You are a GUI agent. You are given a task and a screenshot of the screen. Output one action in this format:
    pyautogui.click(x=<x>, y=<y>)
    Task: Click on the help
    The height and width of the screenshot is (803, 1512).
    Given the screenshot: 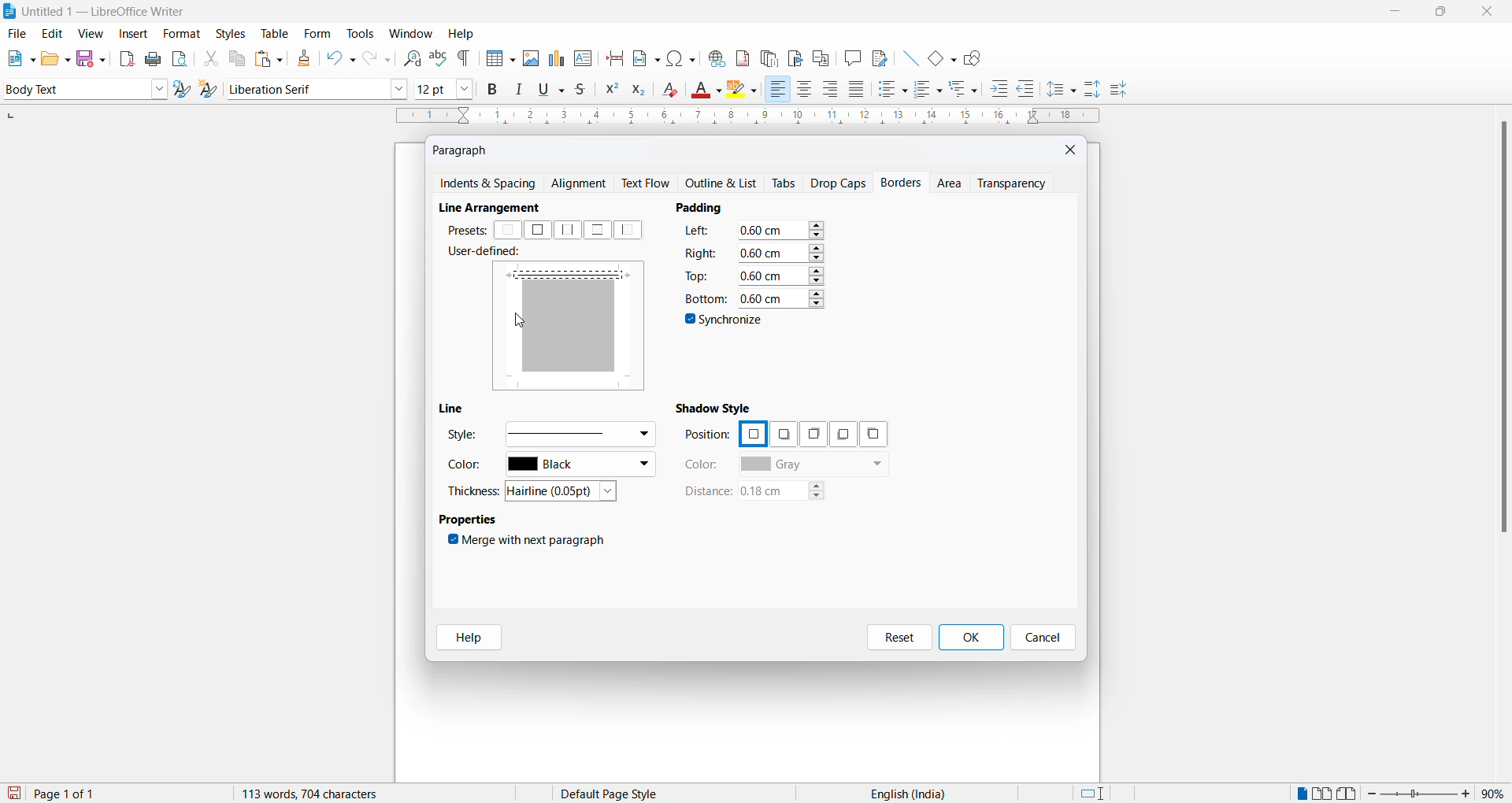 What is the action you would take?
    pyautogui.click(x=461, y=34)
    